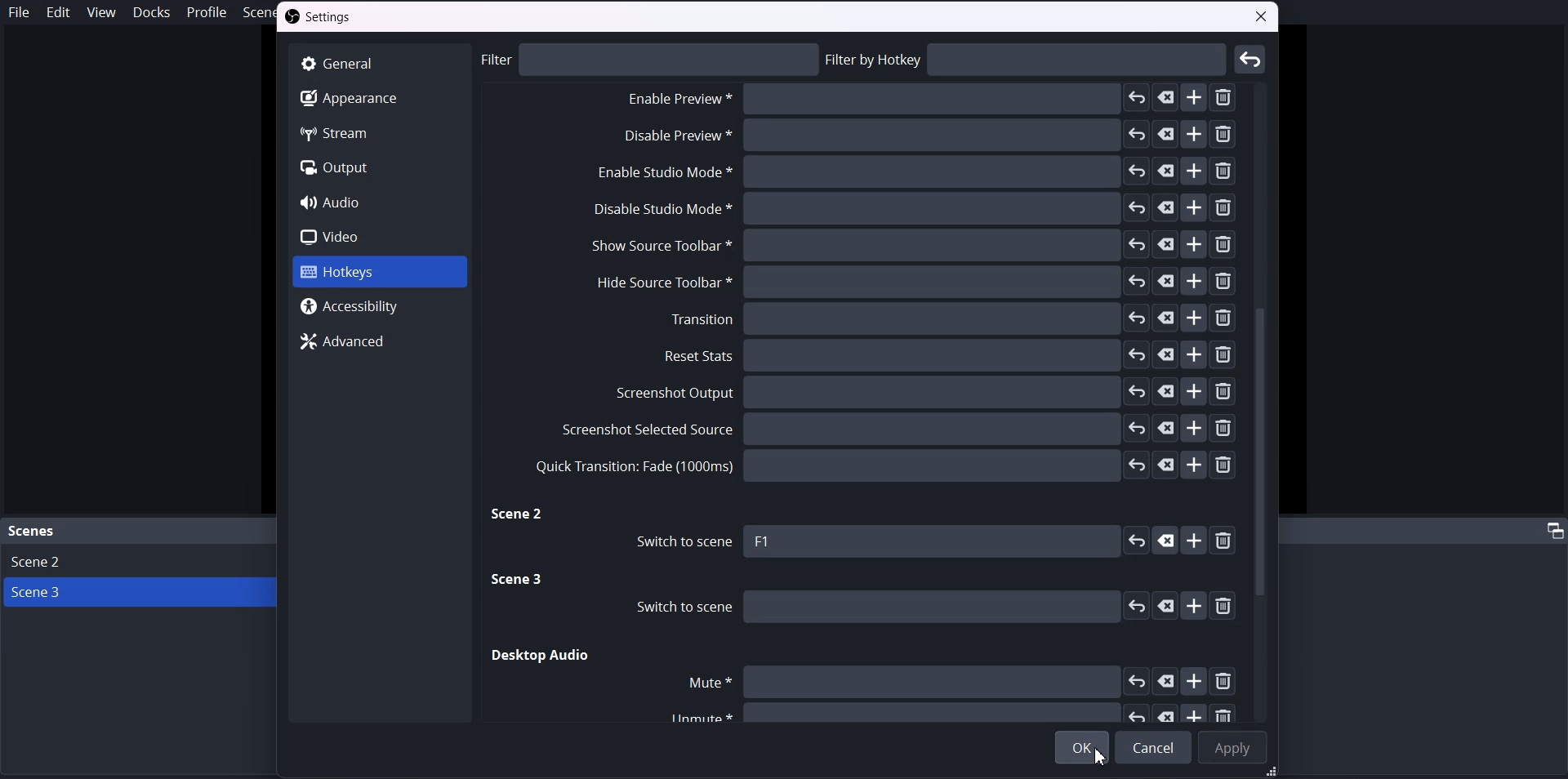 Image resolution: width=1568 pixels, height=779 pixels. I want to click on Video, so click(379, 236).